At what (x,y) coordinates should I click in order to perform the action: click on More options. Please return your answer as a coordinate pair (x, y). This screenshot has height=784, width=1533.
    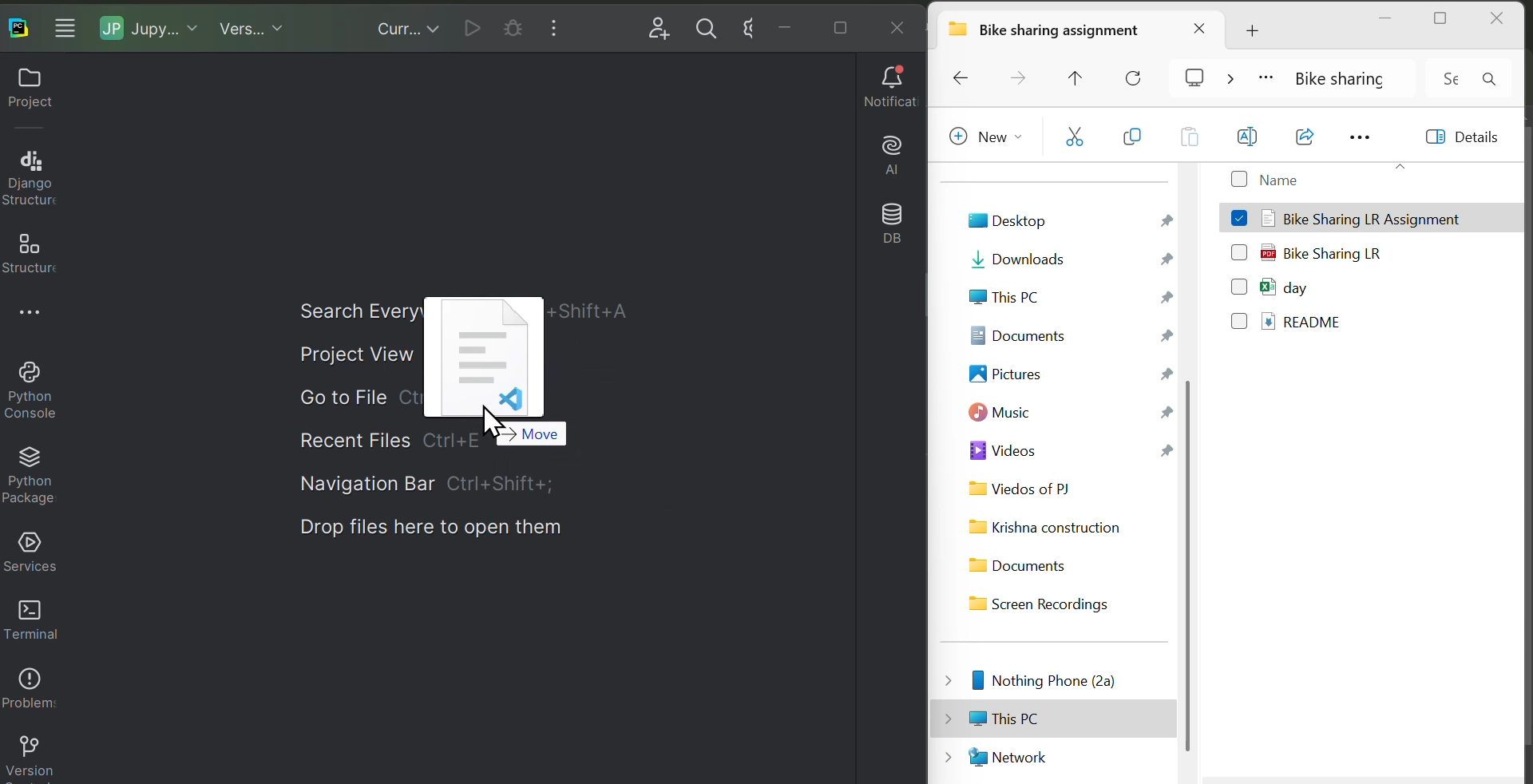
    Looking at the image, I should click on (30, 316).